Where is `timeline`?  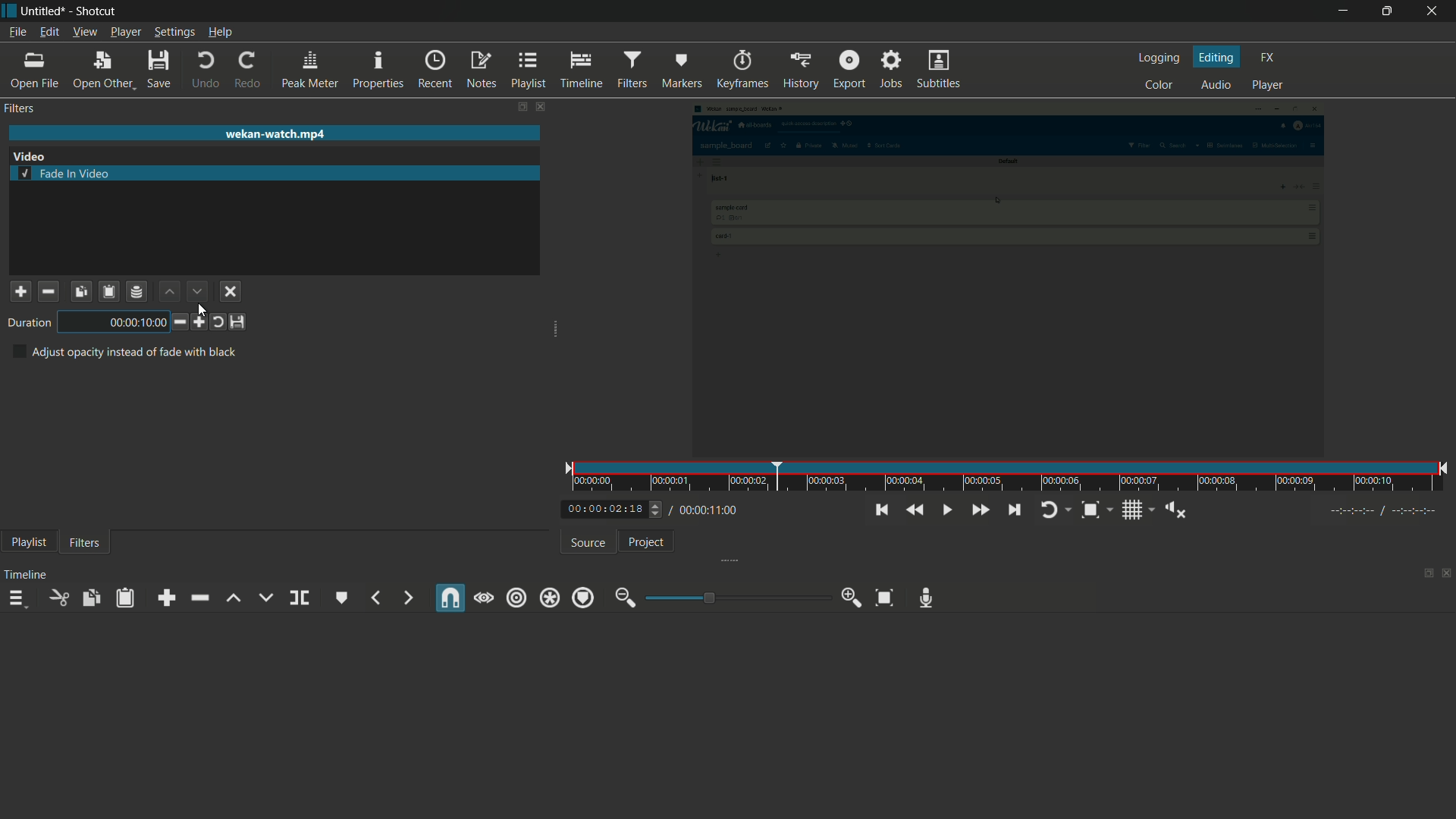 timeline is located at coordinates (26, 575).